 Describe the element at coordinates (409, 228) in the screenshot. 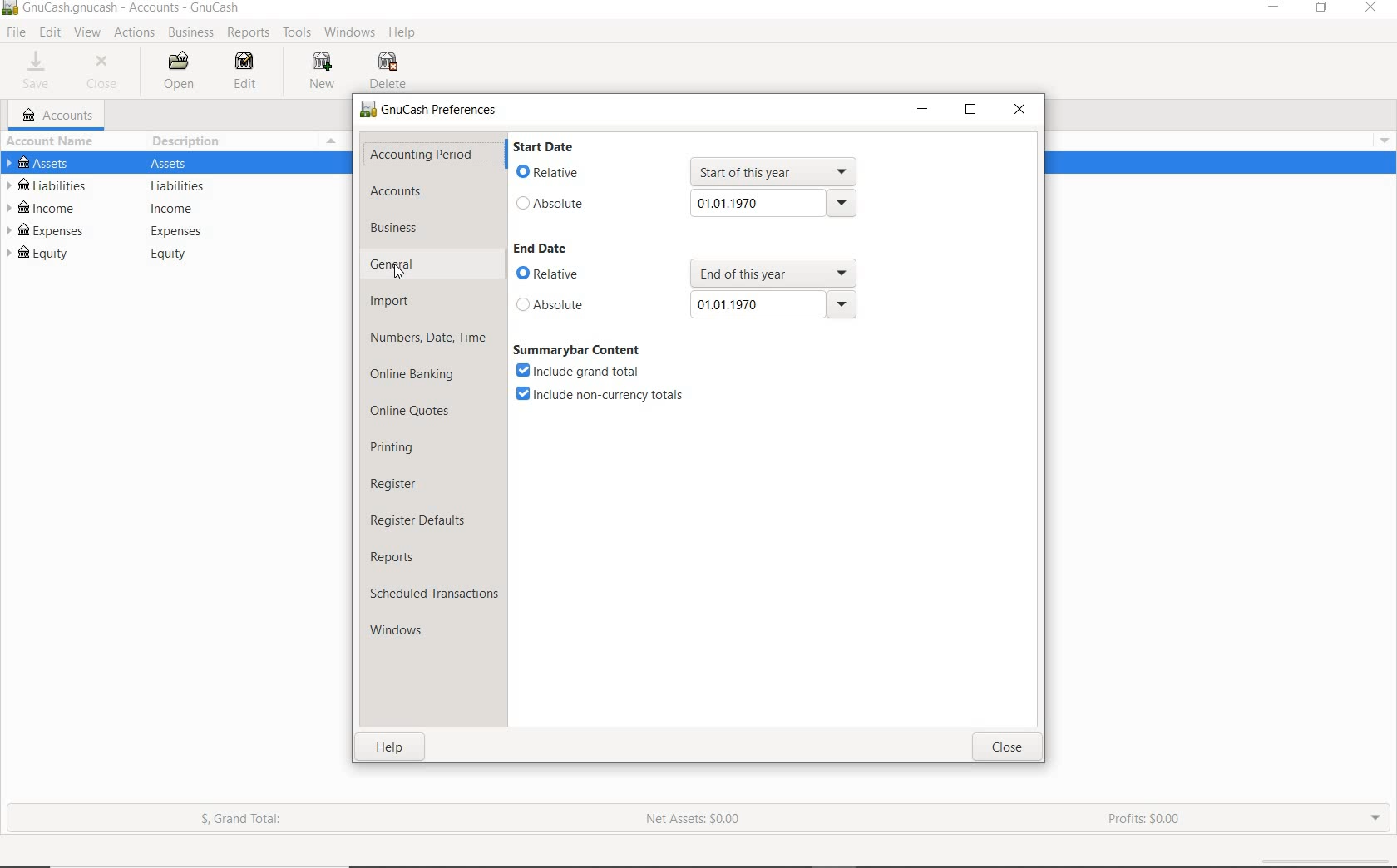

I see `BUSINESS` at that location.